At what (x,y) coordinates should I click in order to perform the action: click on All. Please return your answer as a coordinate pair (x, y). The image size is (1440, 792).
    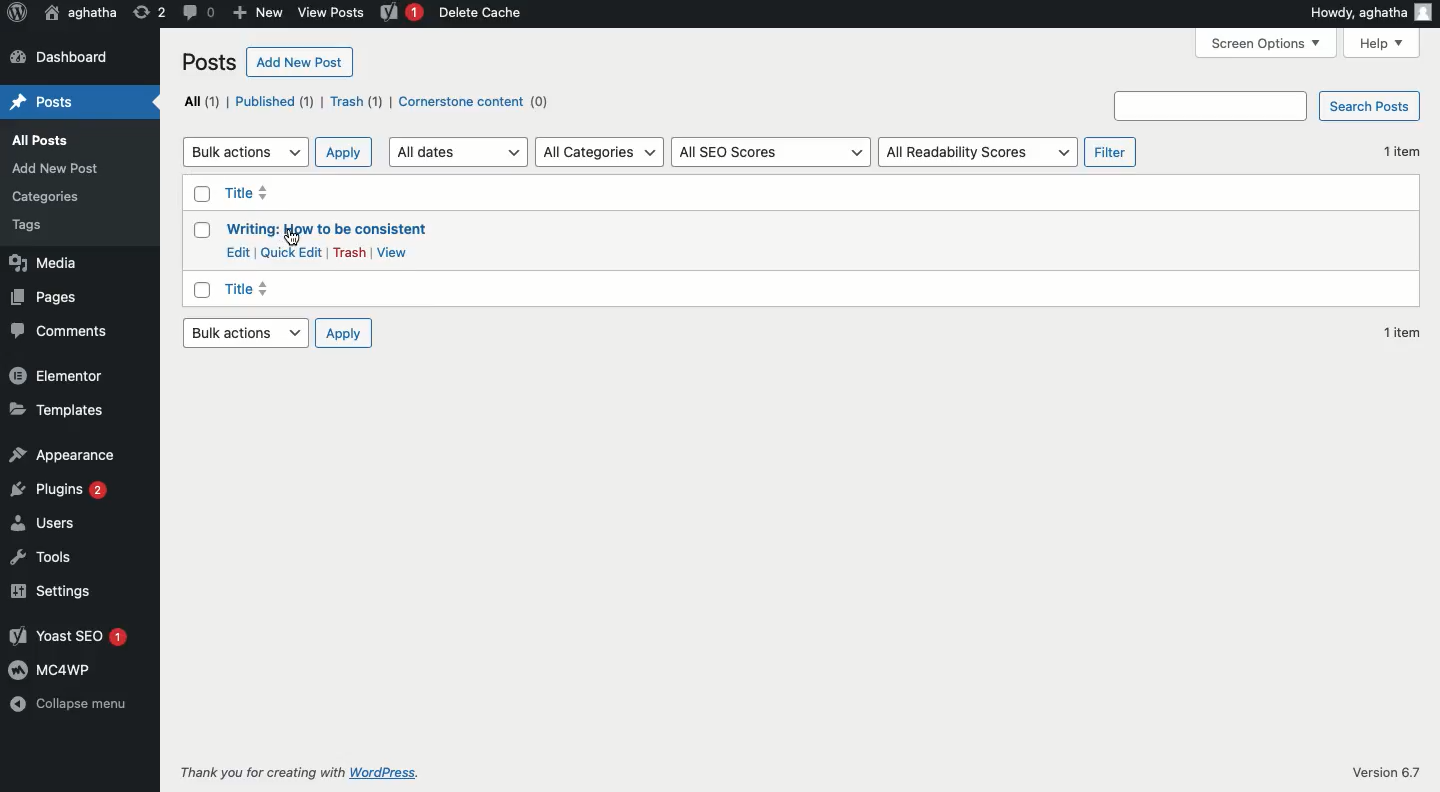
    Looking at the image, I should click on (200, 102).